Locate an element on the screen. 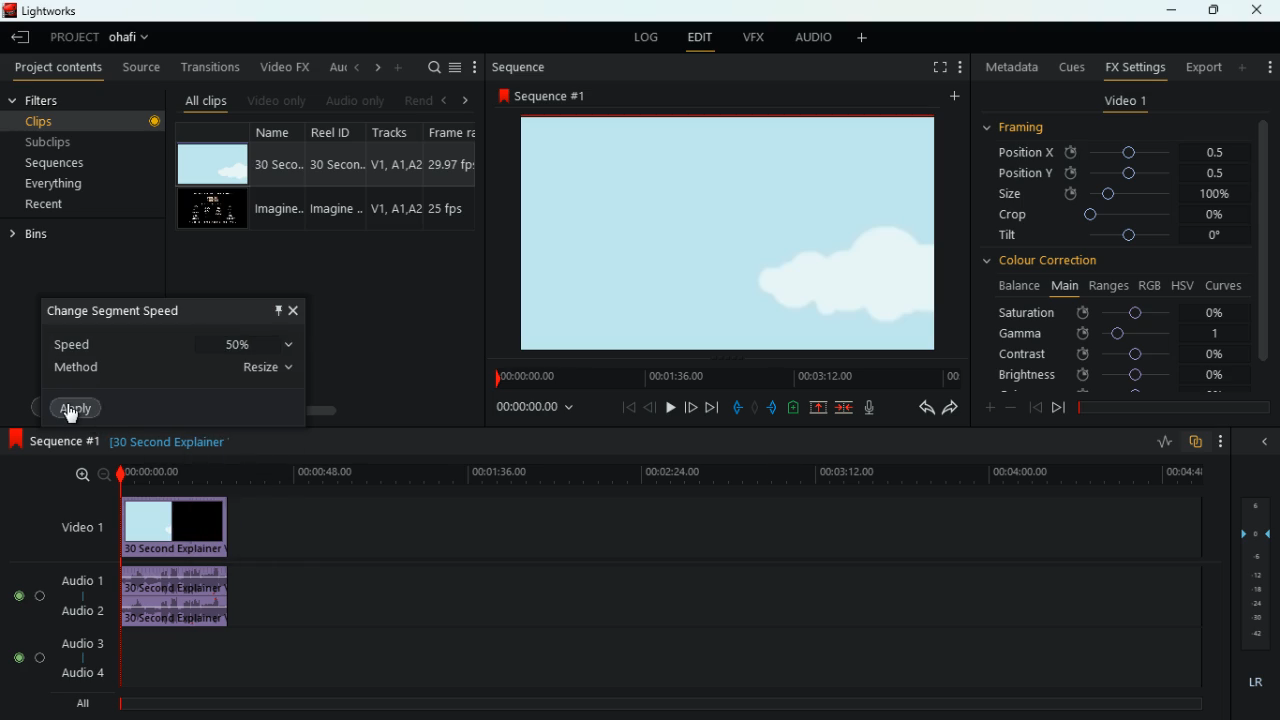 This screenshot has height=720, width=1280. clips is located at coordinates (85, 121).